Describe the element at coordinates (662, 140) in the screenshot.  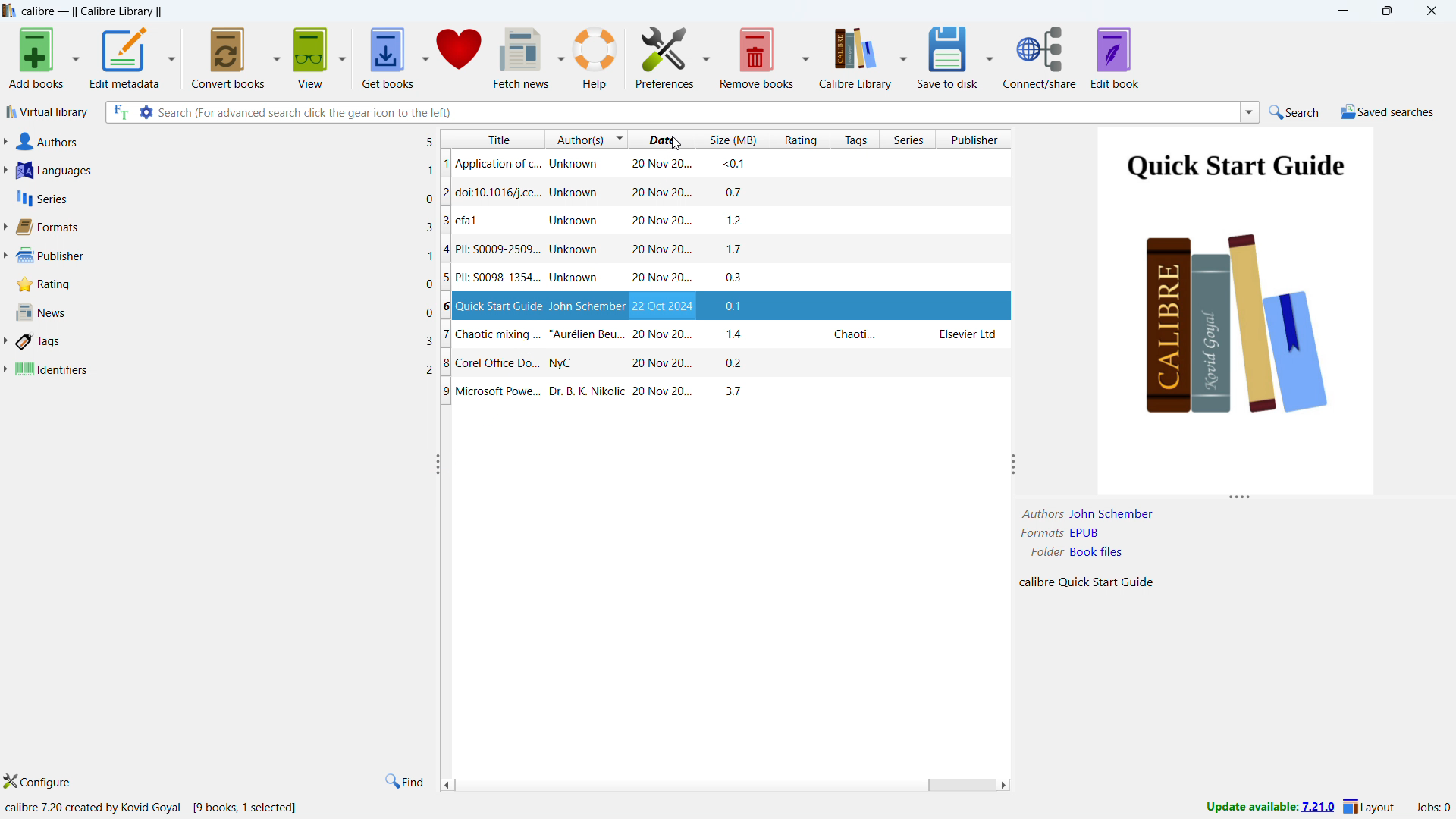
I see `date` at that location.